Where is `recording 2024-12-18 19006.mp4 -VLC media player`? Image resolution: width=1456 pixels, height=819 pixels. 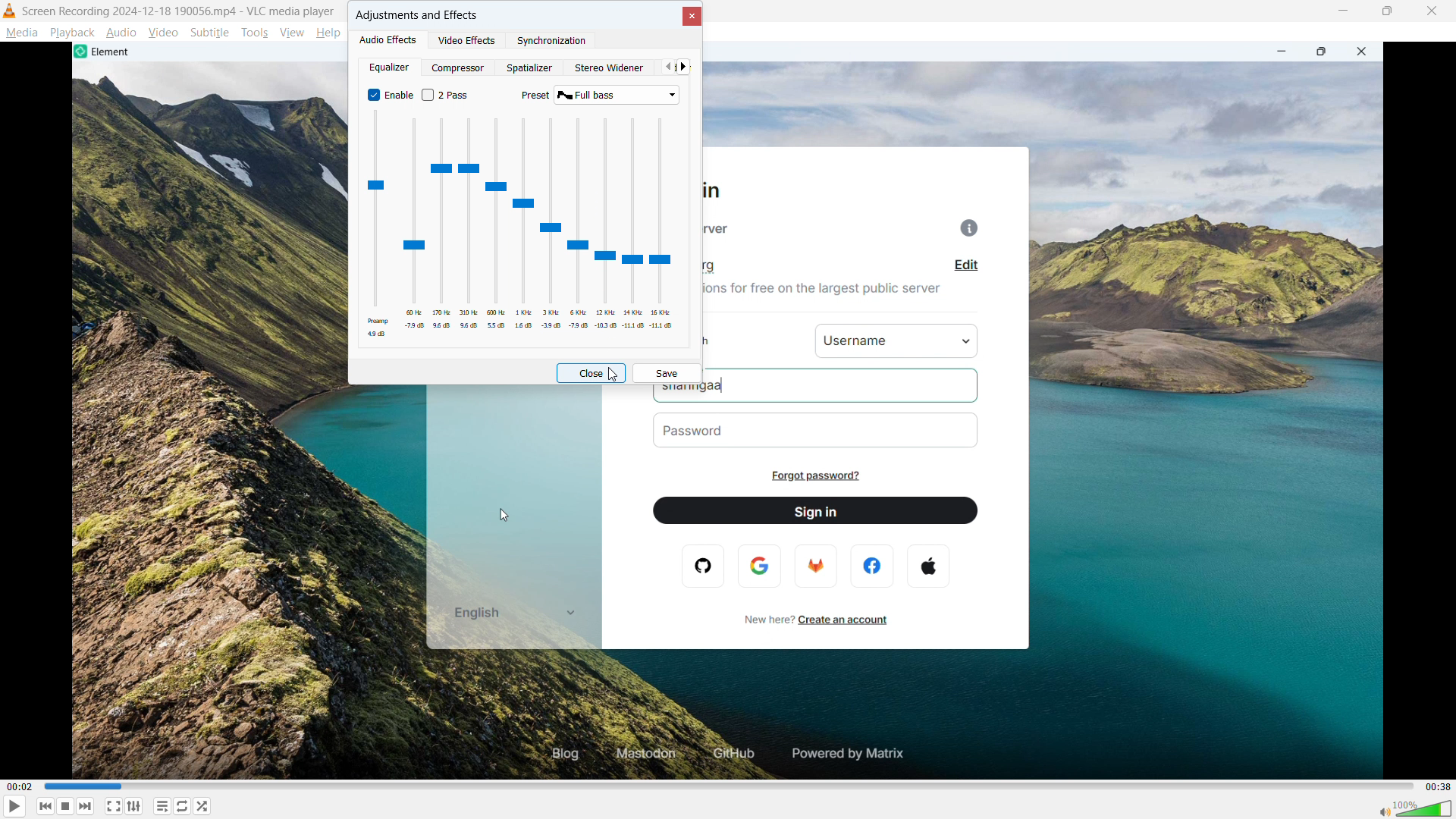
recording 2024-12-18 19006.mp4 -VLC media player is located at coordinates (180, 11).